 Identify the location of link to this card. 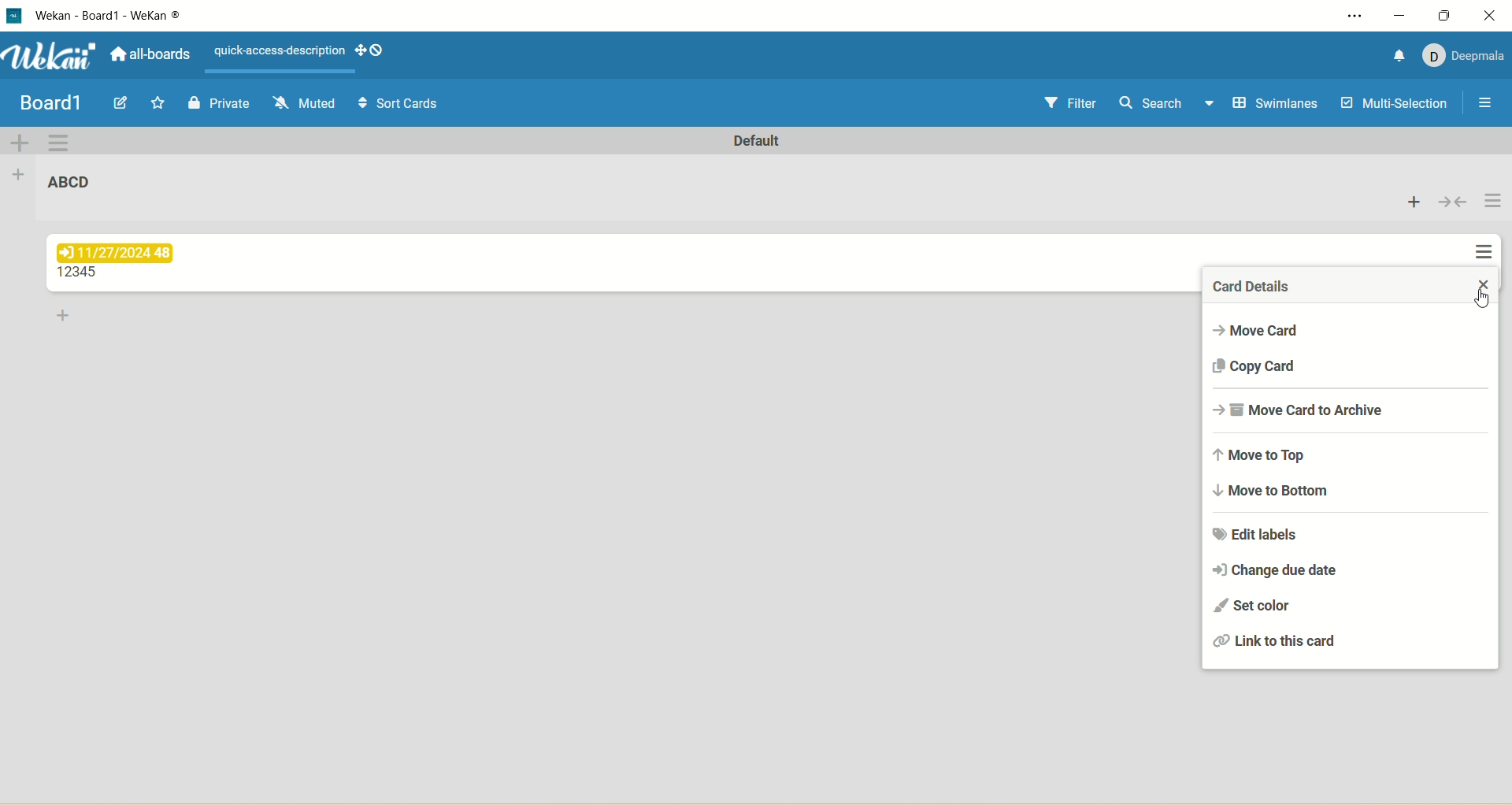
(1275, 642).